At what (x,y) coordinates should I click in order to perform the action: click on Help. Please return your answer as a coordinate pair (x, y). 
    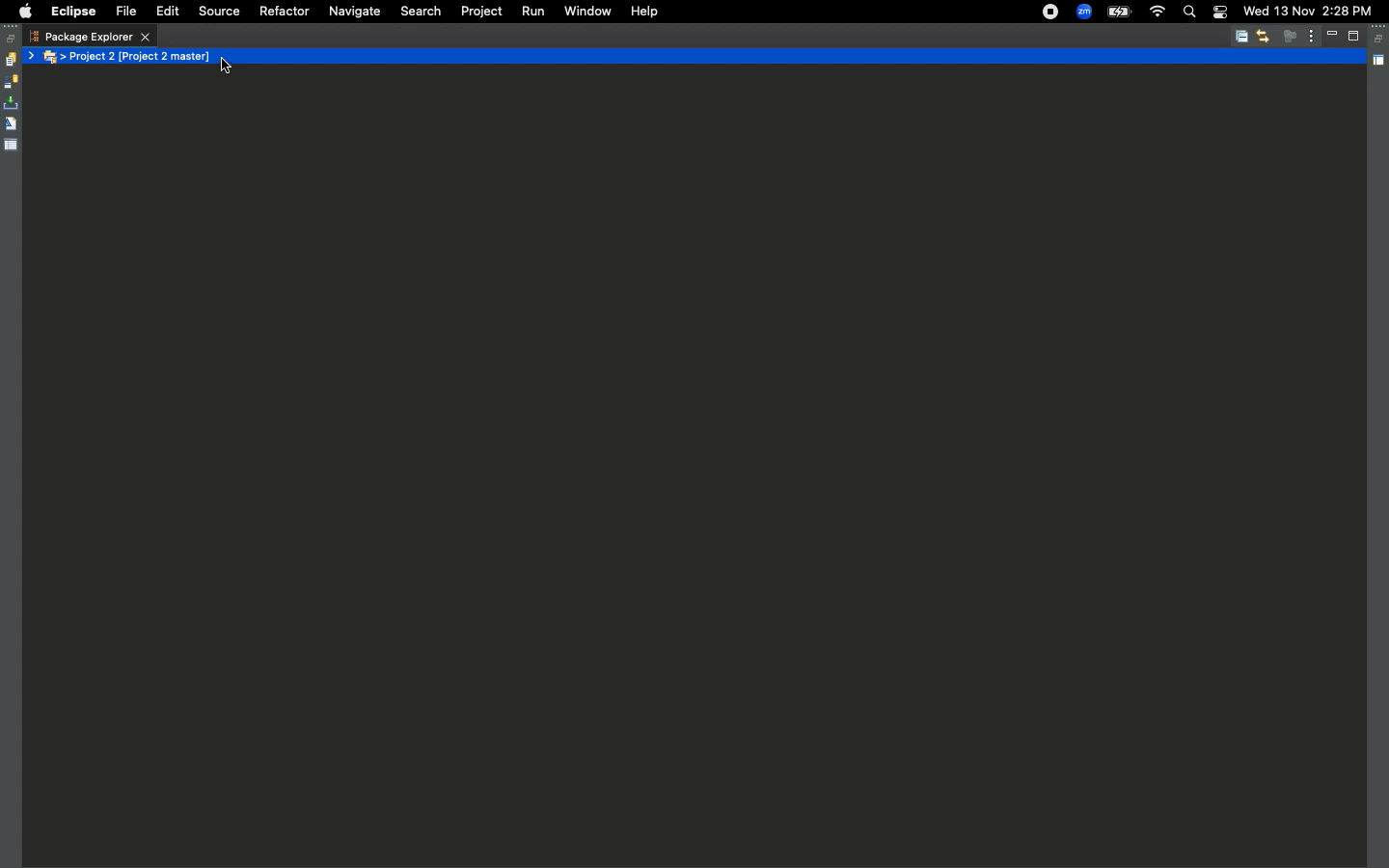
    Looking at the image, I should click on (644, 11).